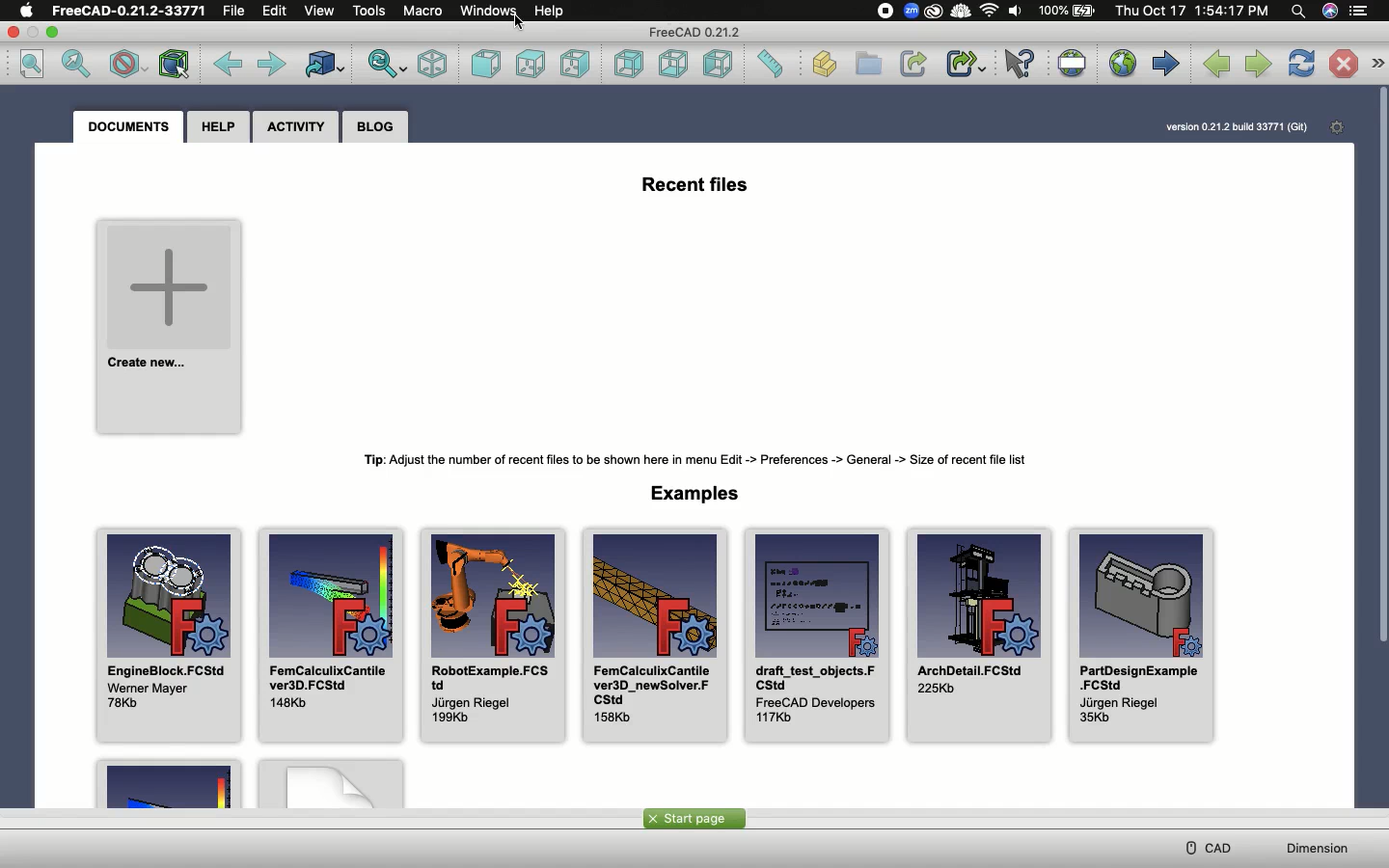 The height and width of the screenshot is (868, 1389). I want to click on View, so click(324, 12).